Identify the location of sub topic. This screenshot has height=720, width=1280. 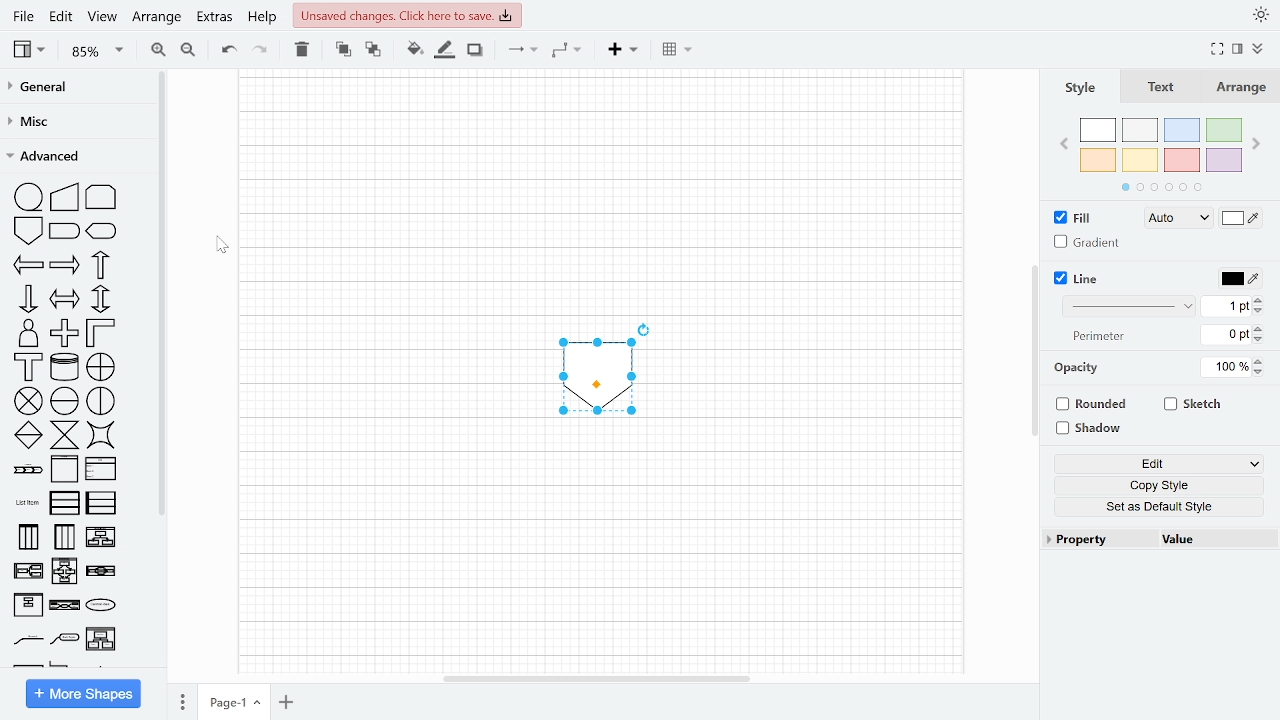
(26, 640).